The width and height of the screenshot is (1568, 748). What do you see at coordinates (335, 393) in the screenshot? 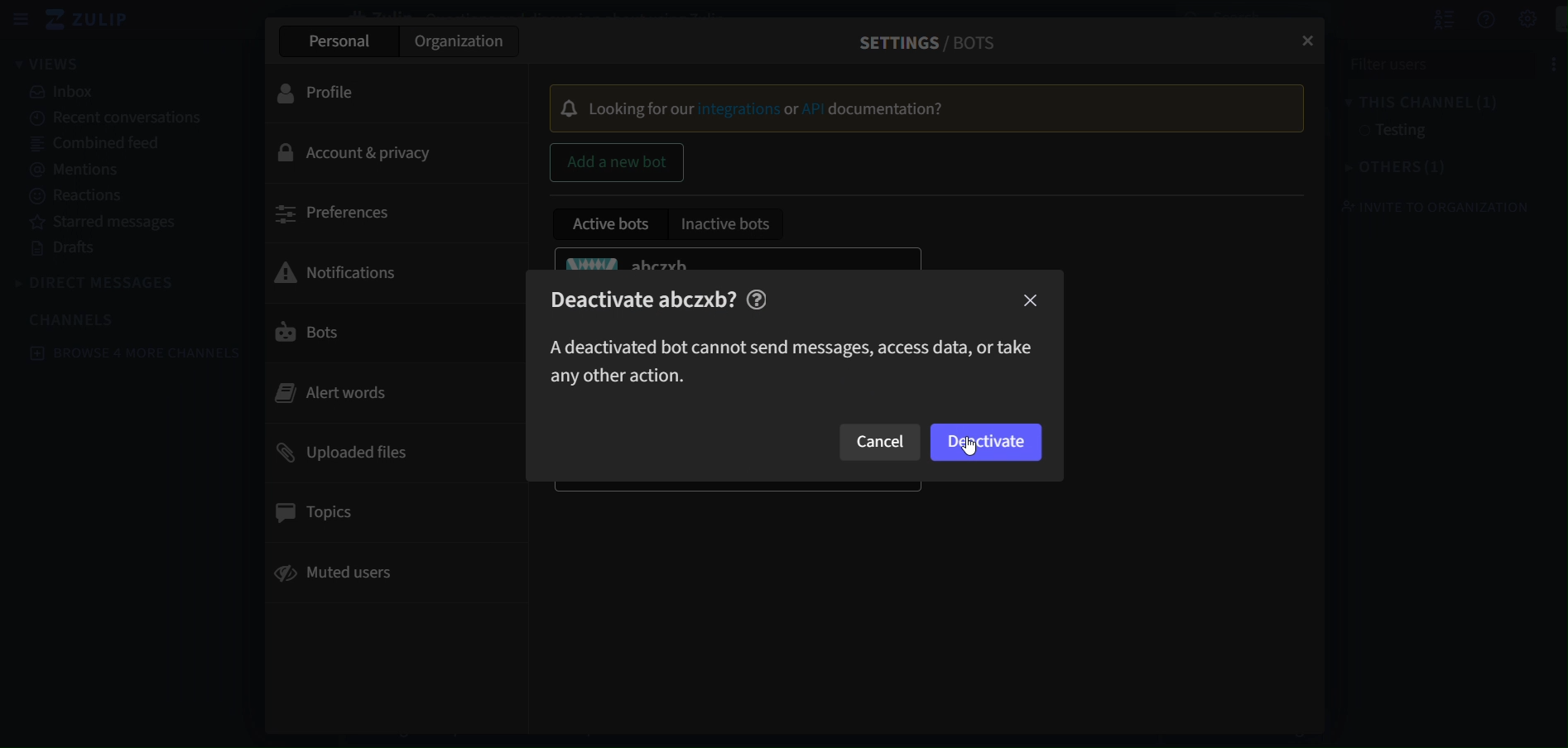
I see `alert words` at bounding box center [335, 393].